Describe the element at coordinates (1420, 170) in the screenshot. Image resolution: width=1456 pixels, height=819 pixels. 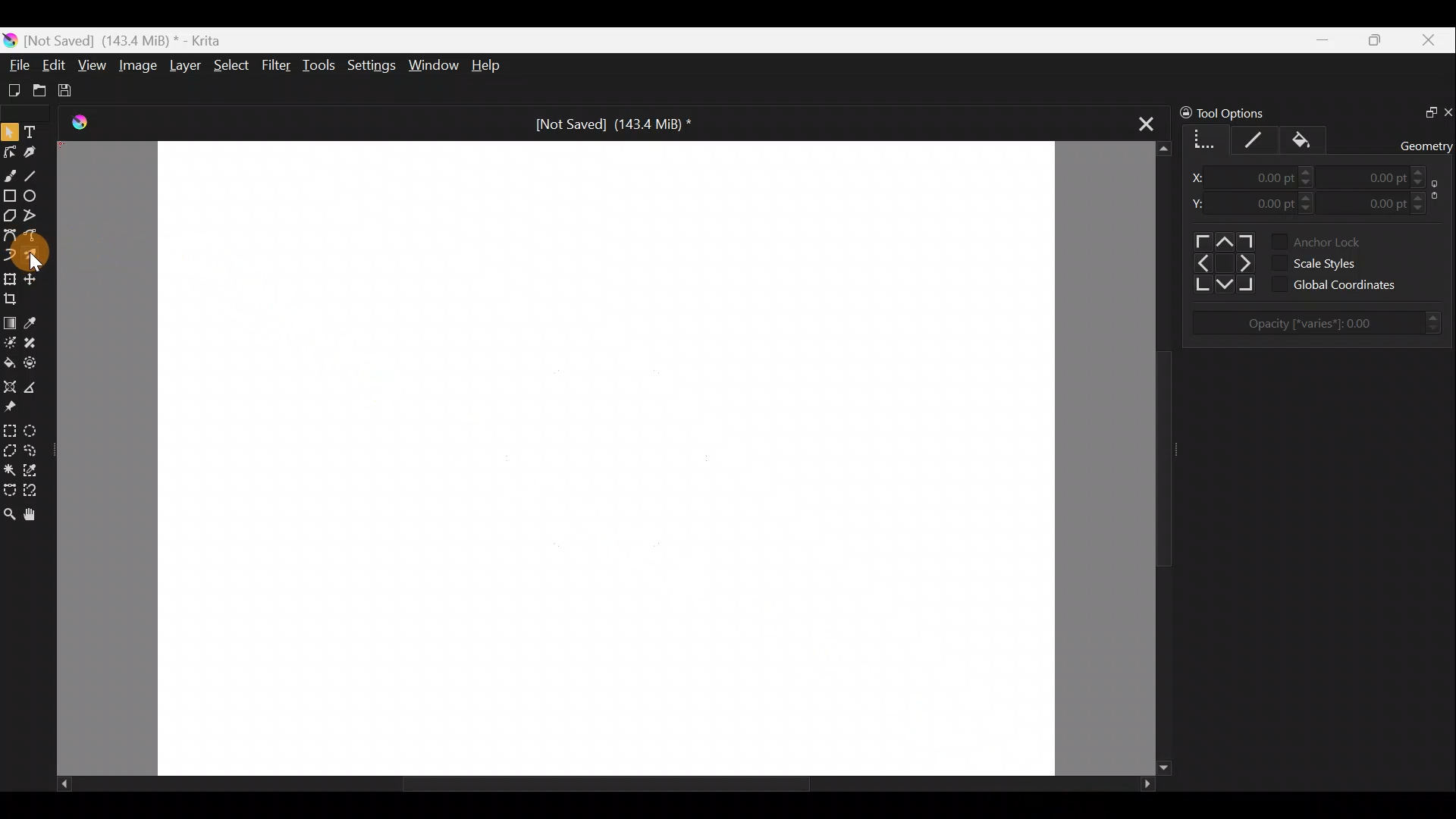
I see `Increase` at that location.